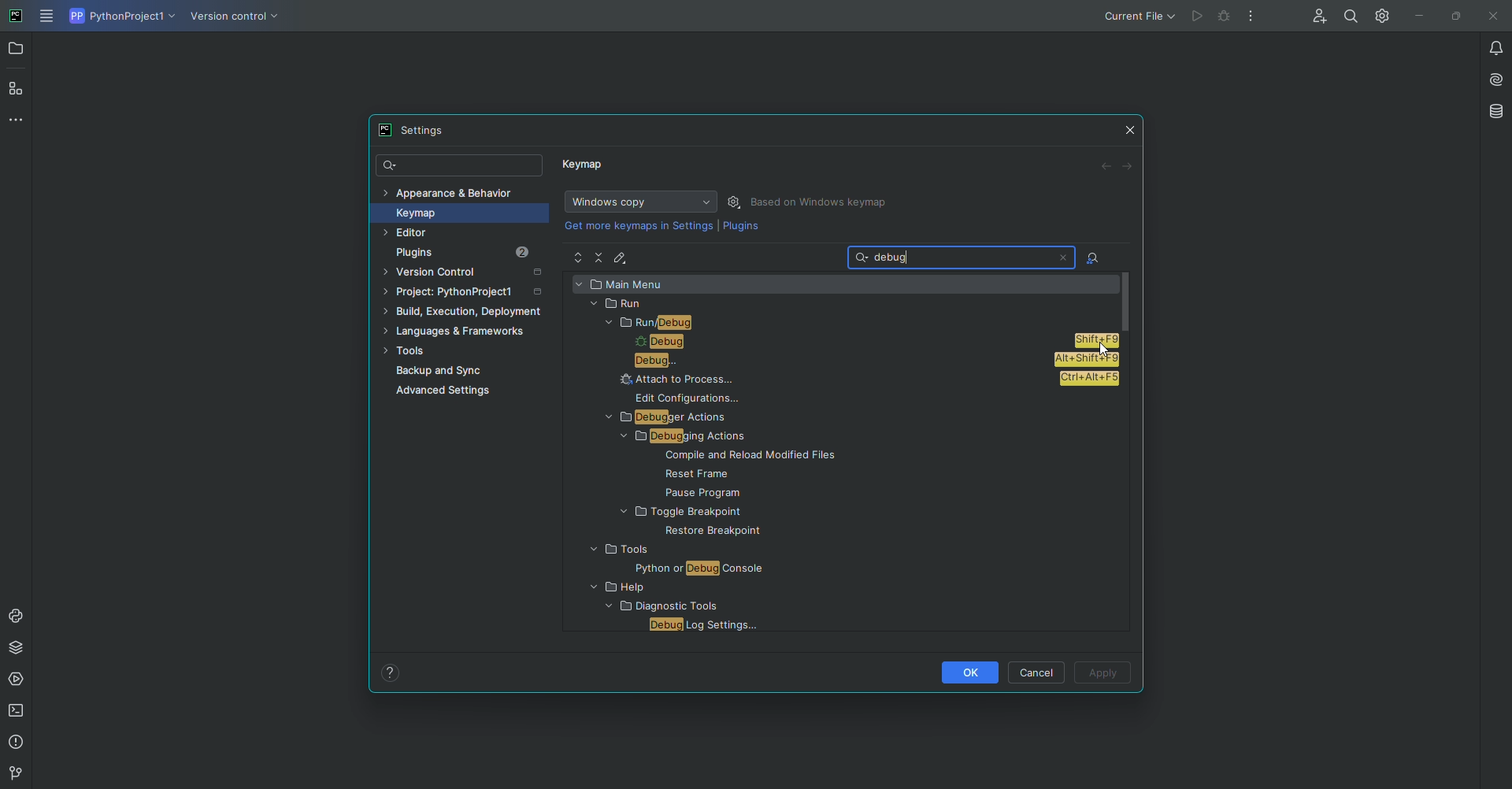  I want to click on More Options, so click(1254, 20).